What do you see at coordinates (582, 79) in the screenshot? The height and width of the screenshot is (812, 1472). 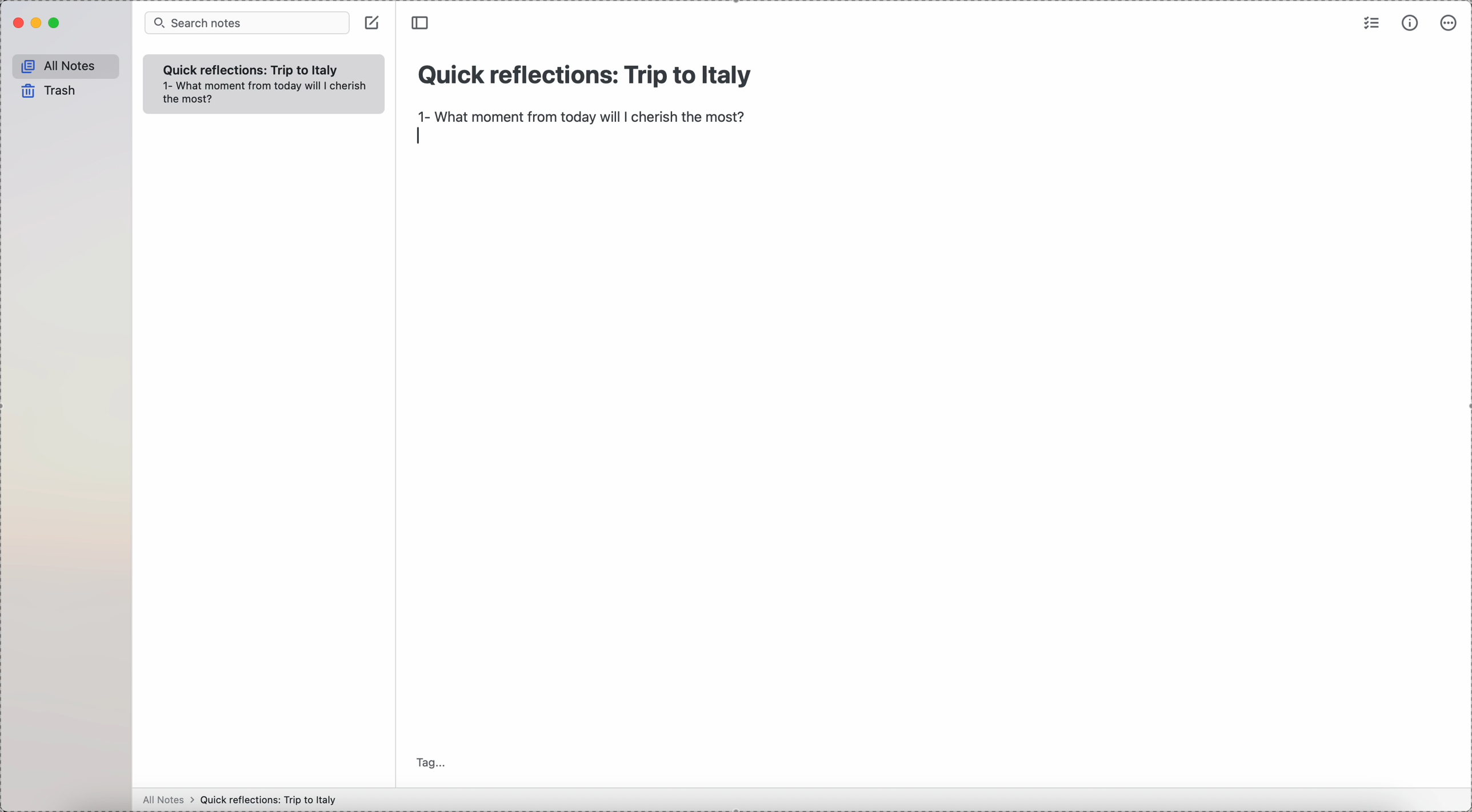 I see `Quick reflections: Trip to Italy` at bounding box center [582, 79].